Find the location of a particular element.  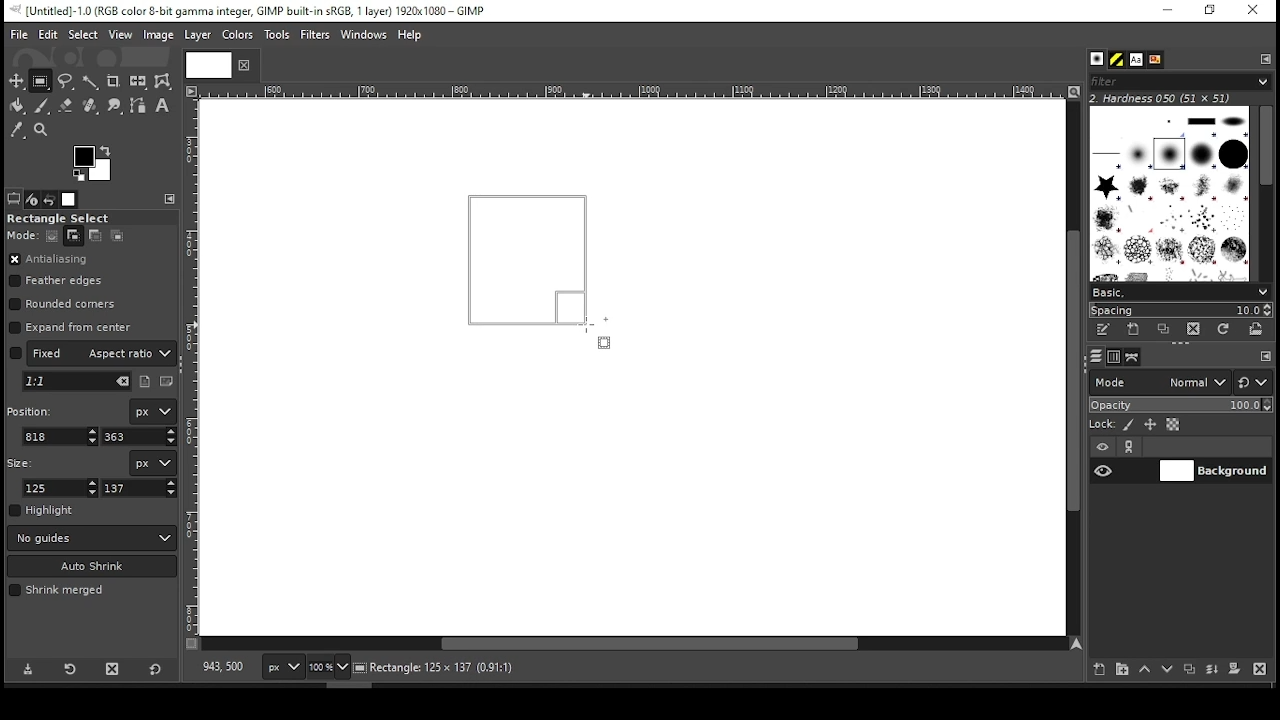

delete tool preset is located at coordinates (118, 668).